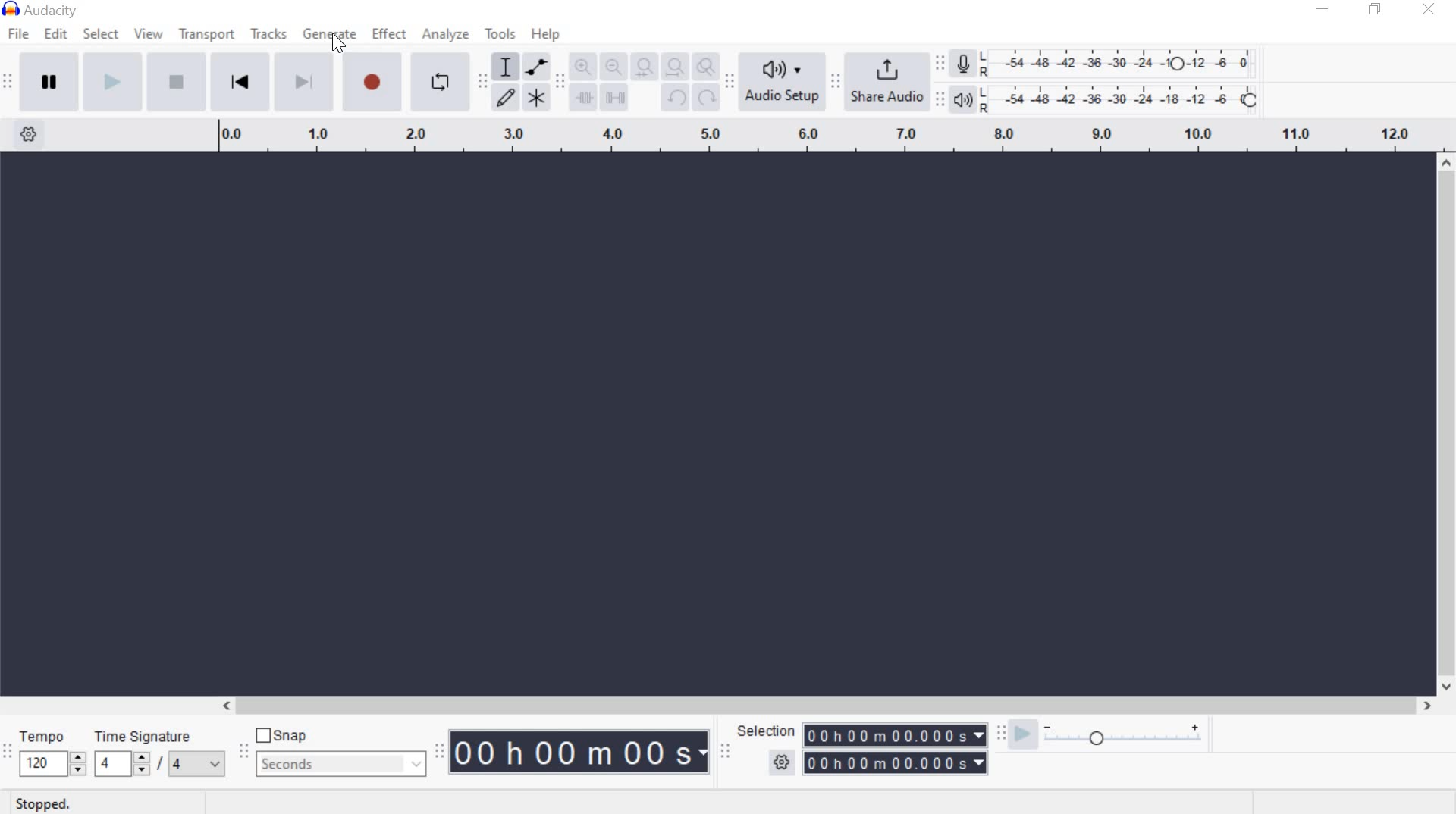 This screenshot has height=814, width=1456. I want to click on Tools toolbar, so click(482, 80).